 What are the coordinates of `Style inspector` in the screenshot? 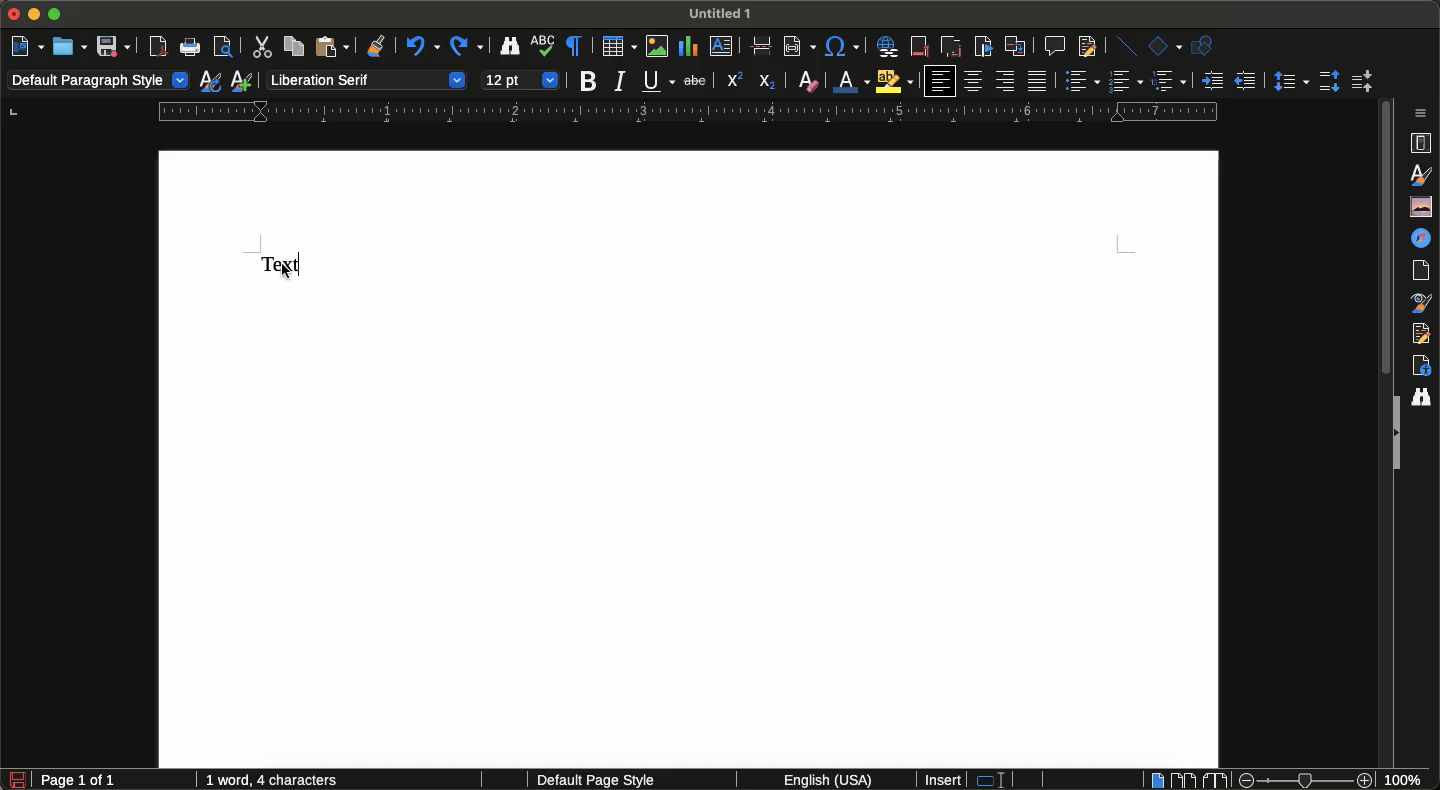 It's located at (1423, 303).